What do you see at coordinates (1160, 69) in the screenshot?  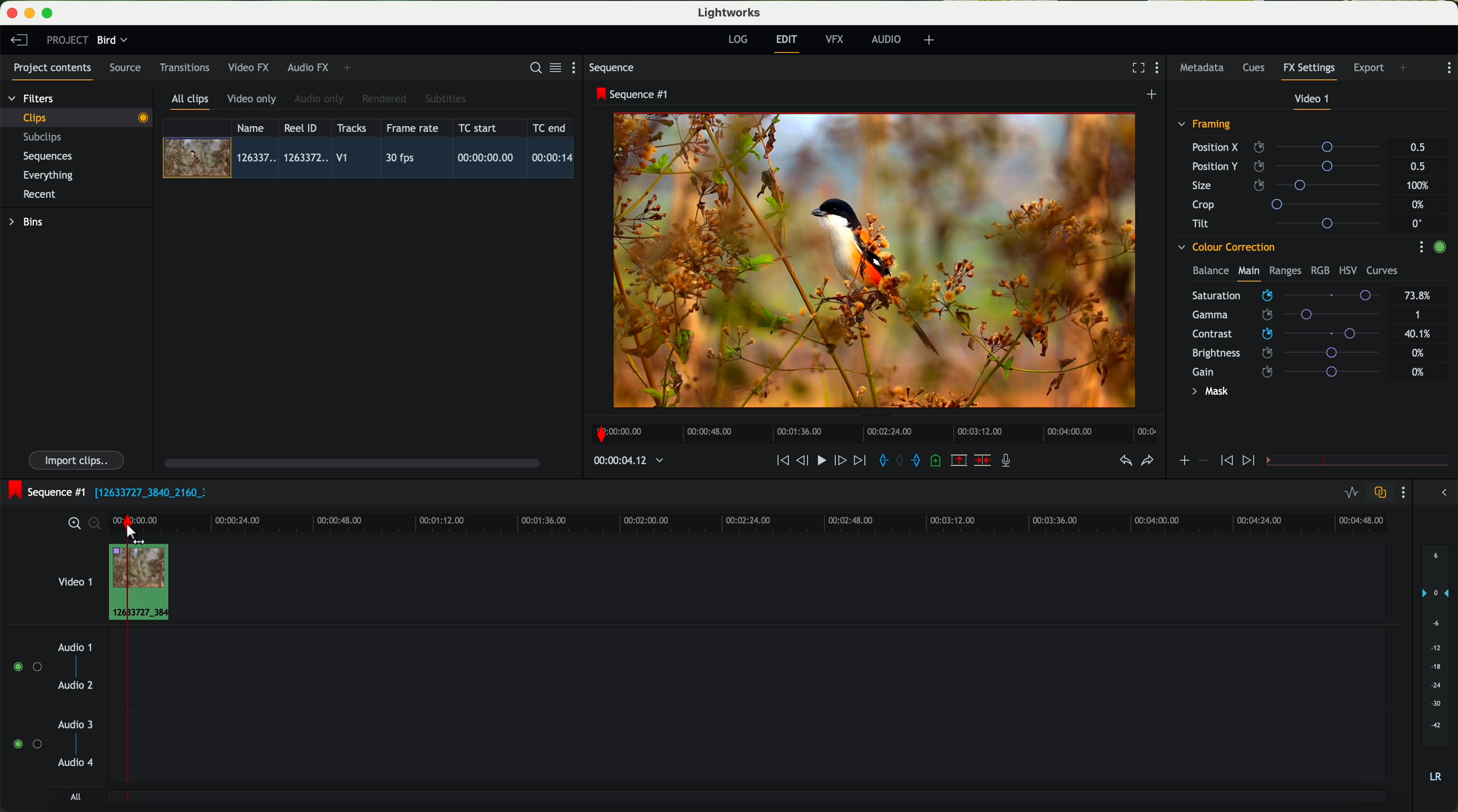 I see `show settings menu` at bounding box center [1160, 69].